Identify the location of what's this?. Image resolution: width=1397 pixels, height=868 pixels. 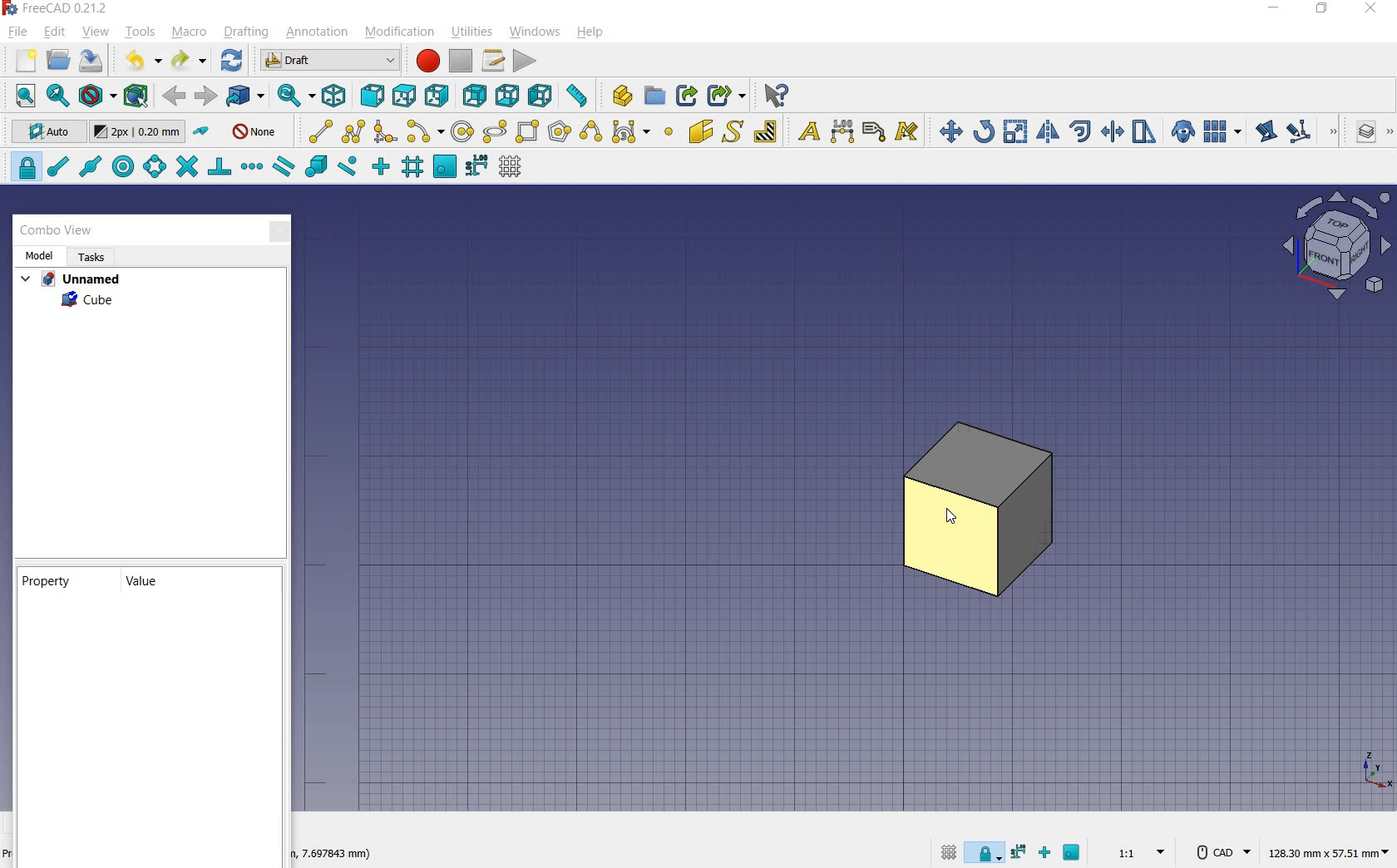
(774, 96).